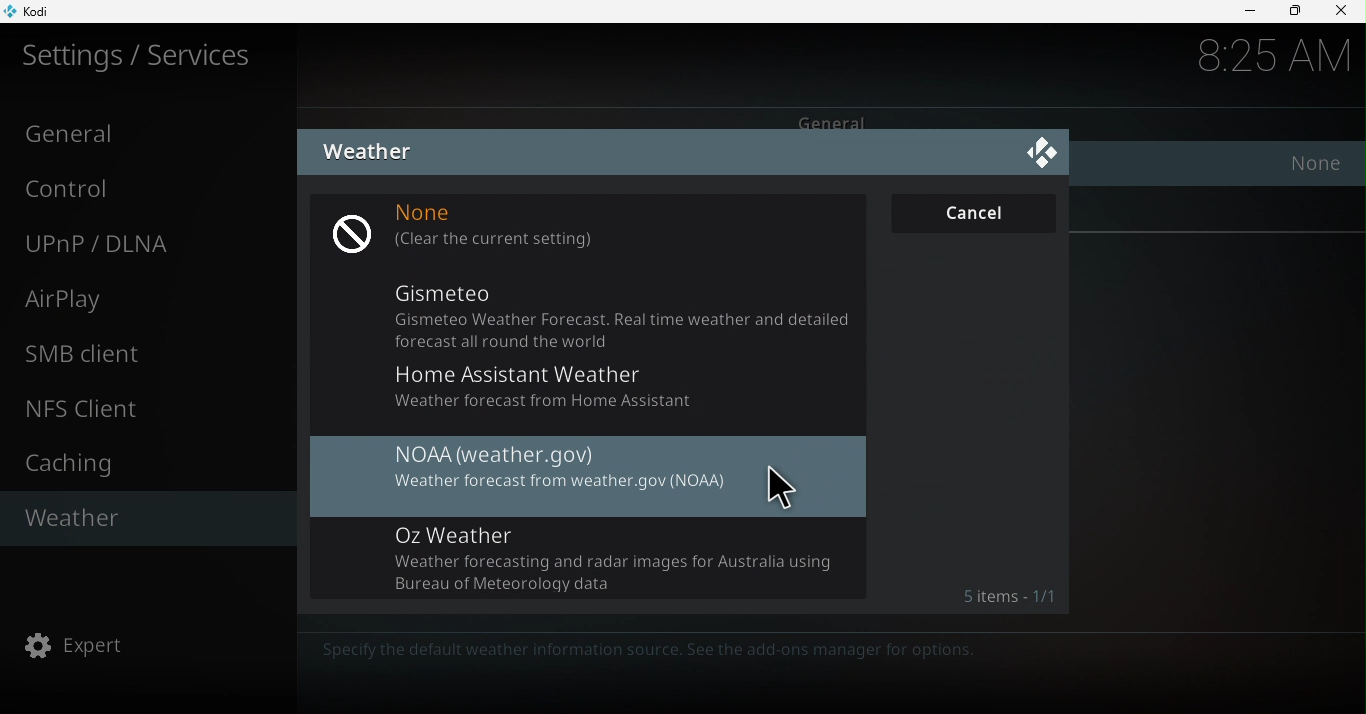  What do you see at coordinates (839, 118) in the screenshot?
I see `General` at bounding box center [839, 118].